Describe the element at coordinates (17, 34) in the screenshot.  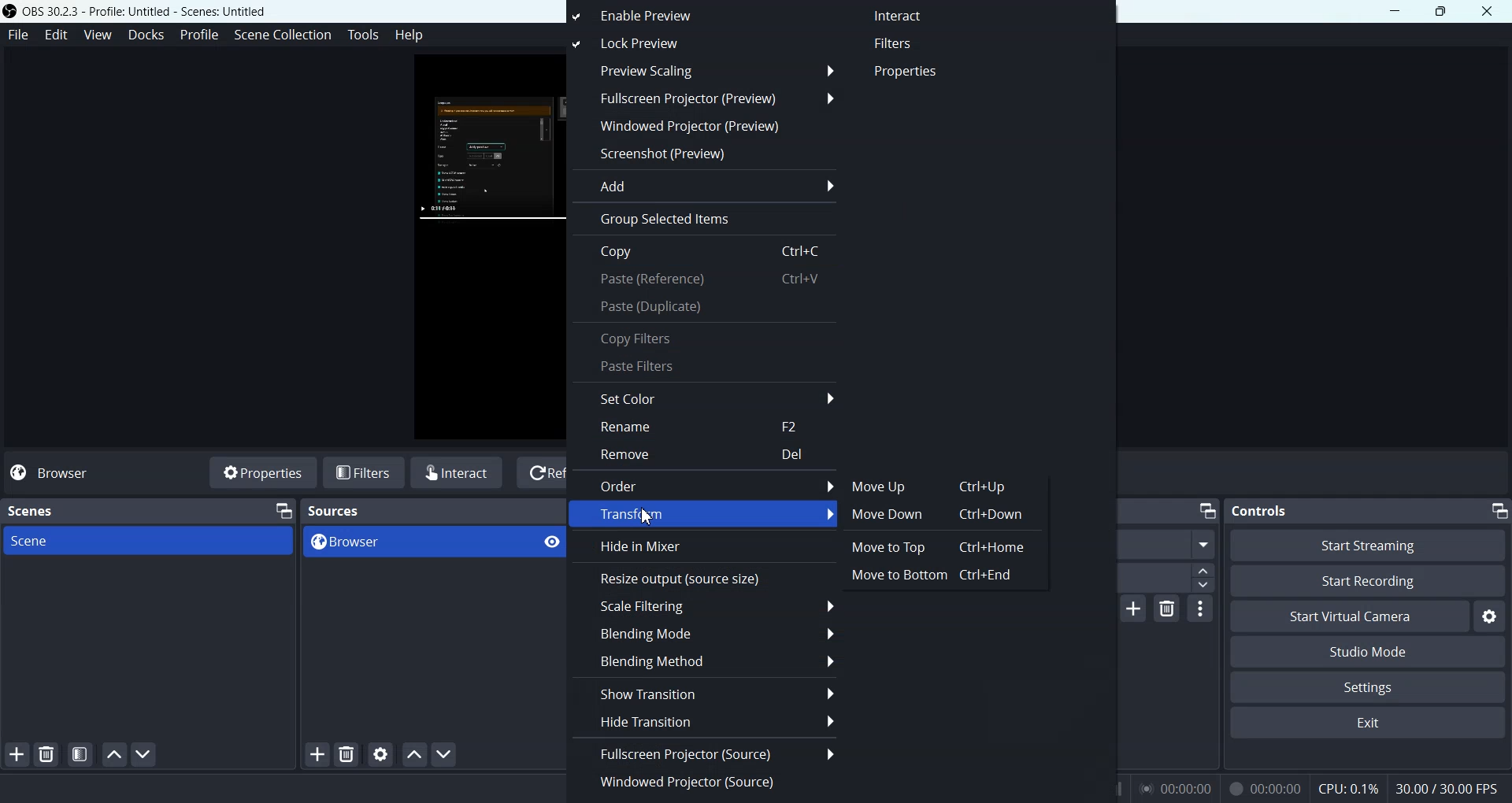
I see `File` at that location.